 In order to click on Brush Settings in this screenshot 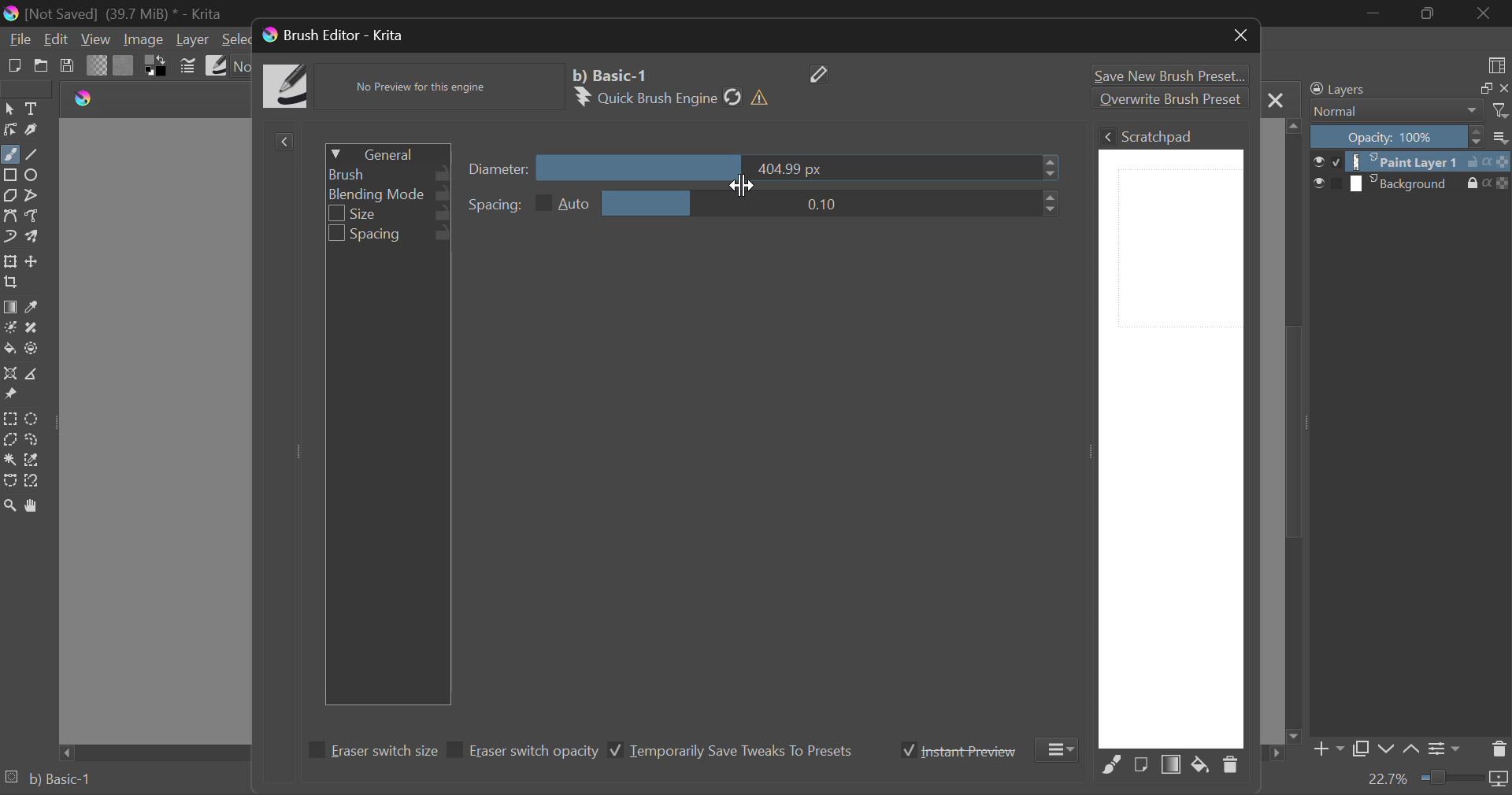, I will do `click(188, 66)`.